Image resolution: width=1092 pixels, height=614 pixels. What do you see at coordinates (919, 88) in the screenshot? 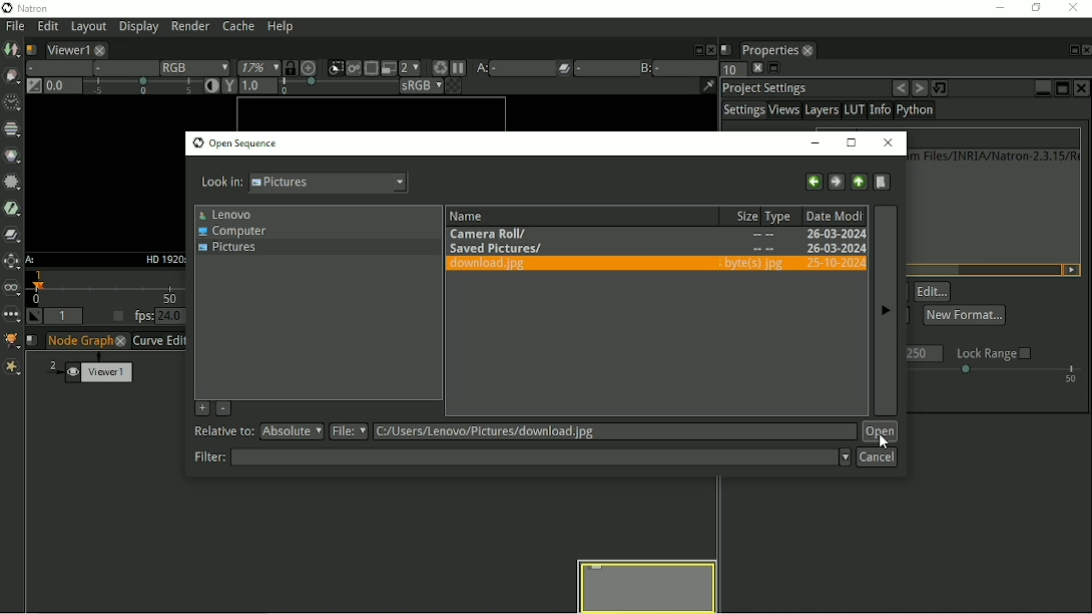
I see `Redo` at bounding box center [919, 88].